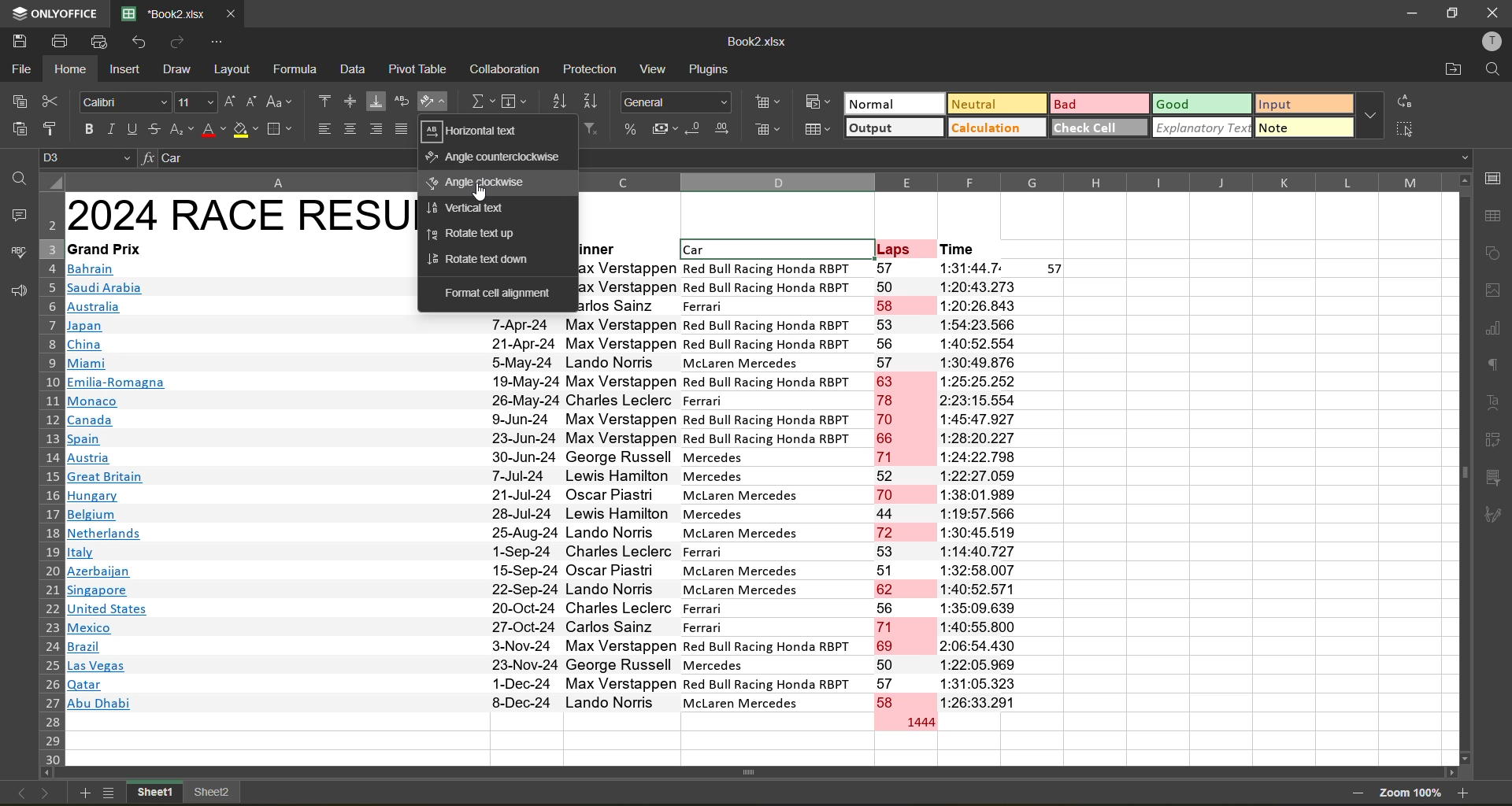 This screenshot has height=806, width=1512. I want to click on feedback, so click(16, 292).